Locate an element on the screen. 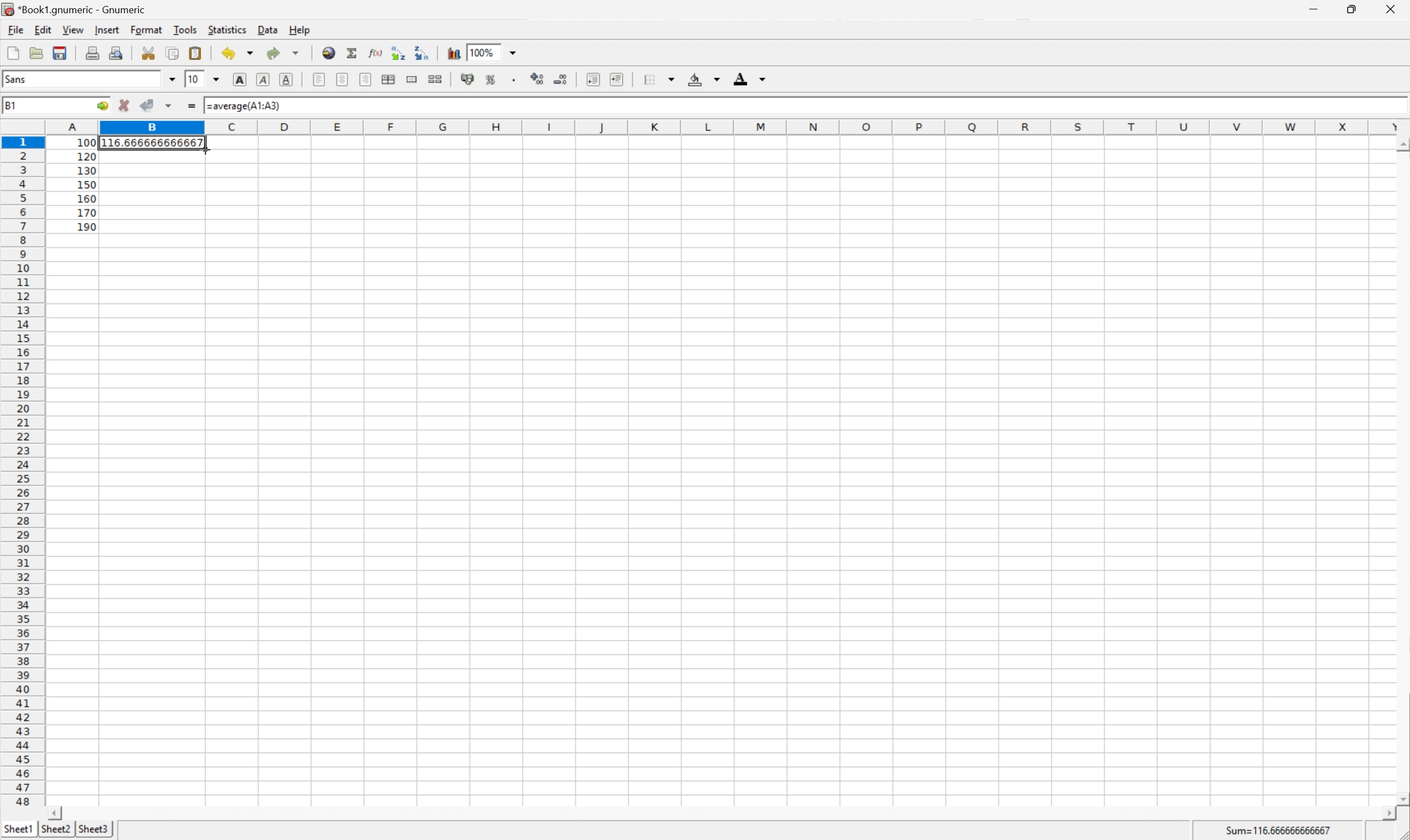 This screenshot has width=1410, height=840. Sheet1 is located at coordinates (16, 829).